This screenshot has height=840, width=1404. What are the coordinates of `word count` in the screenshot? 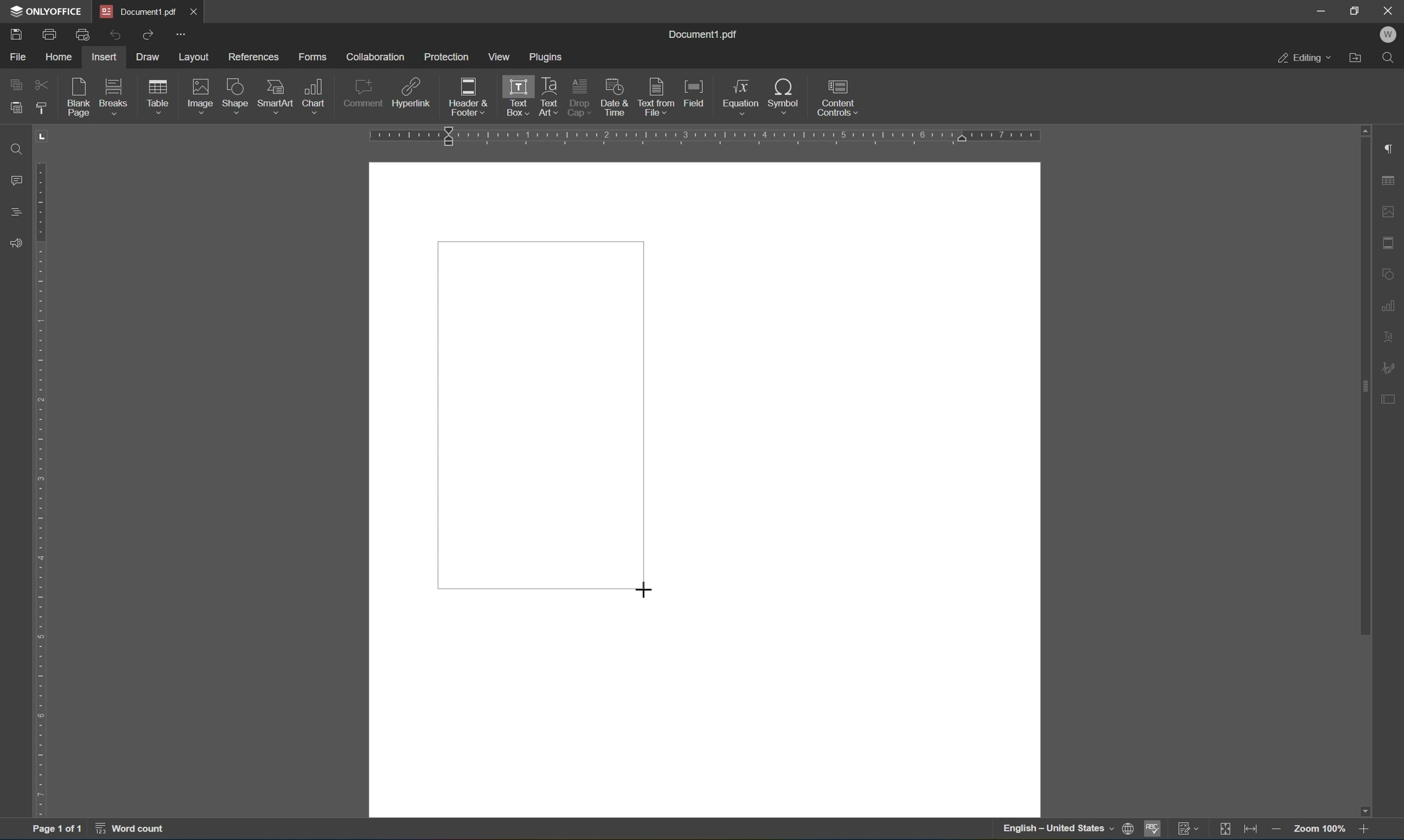 It's located at (131, 829).